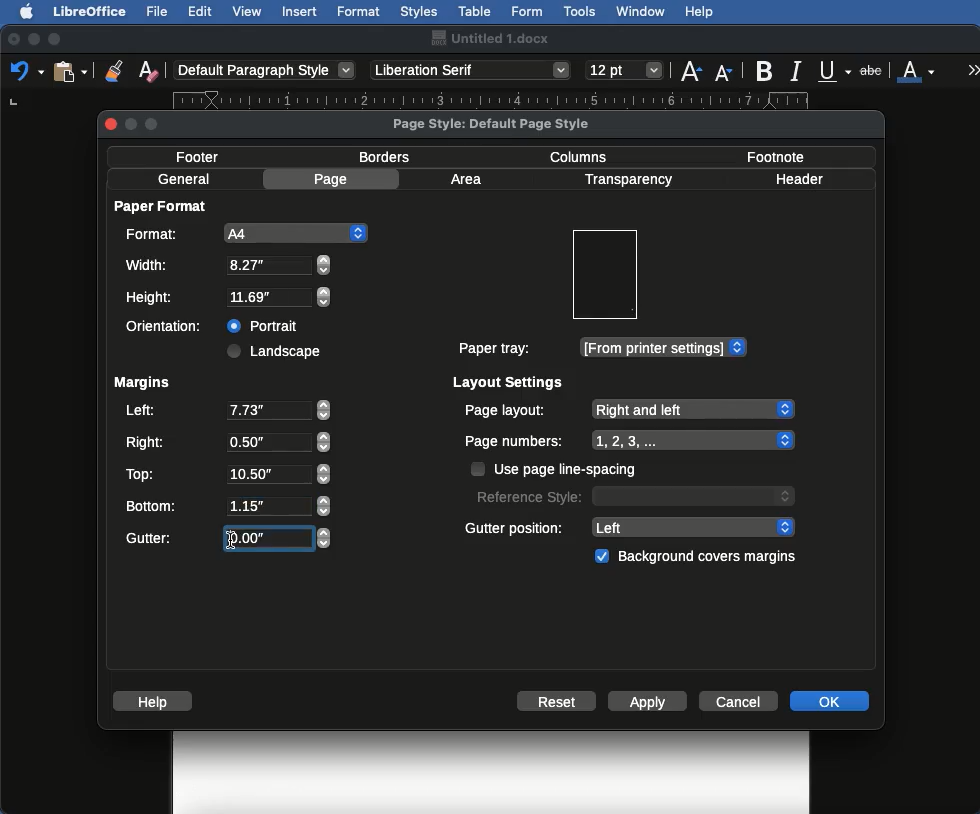 This screenshot has width=980, height=814. Describe the element at coordinates (633, 495) in the screenshot. I see `Reference style` at that location.